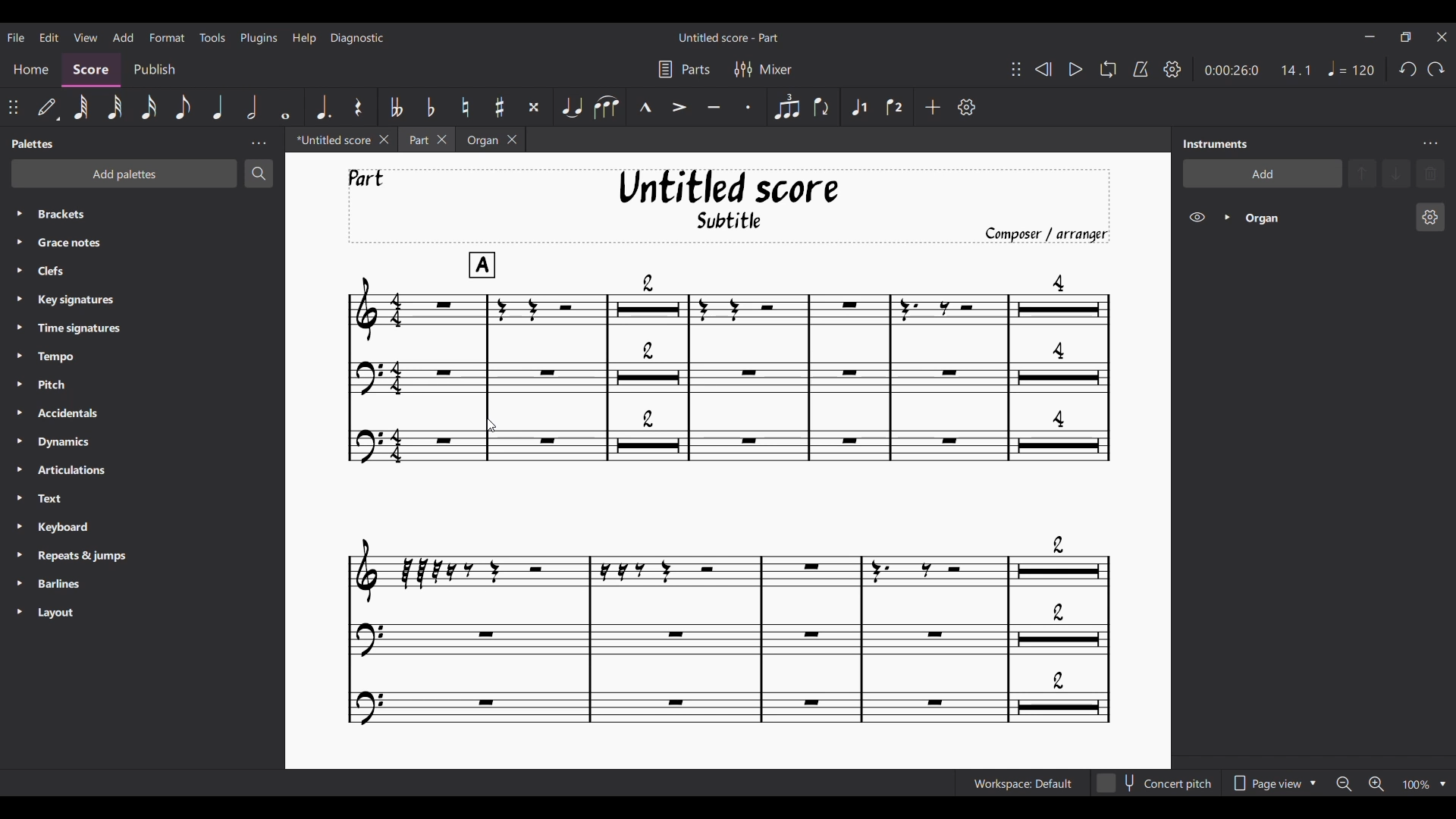  Describe the element at coordinates (714, 107) in the screenshot. I see `Tenuto` at that location.